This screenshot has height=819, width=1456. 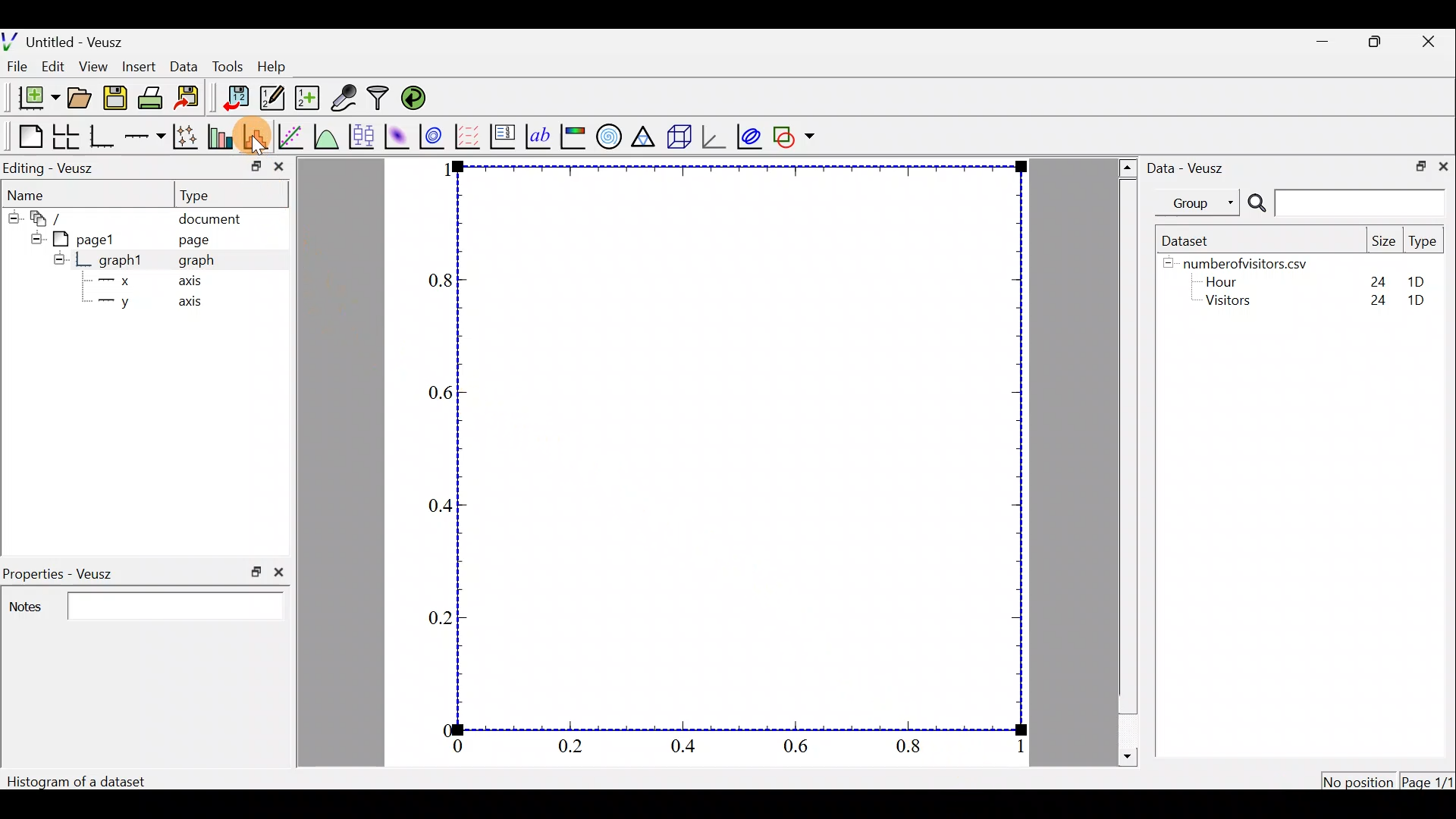 I want to click on hide sub menu, so click(x=11, y=216).